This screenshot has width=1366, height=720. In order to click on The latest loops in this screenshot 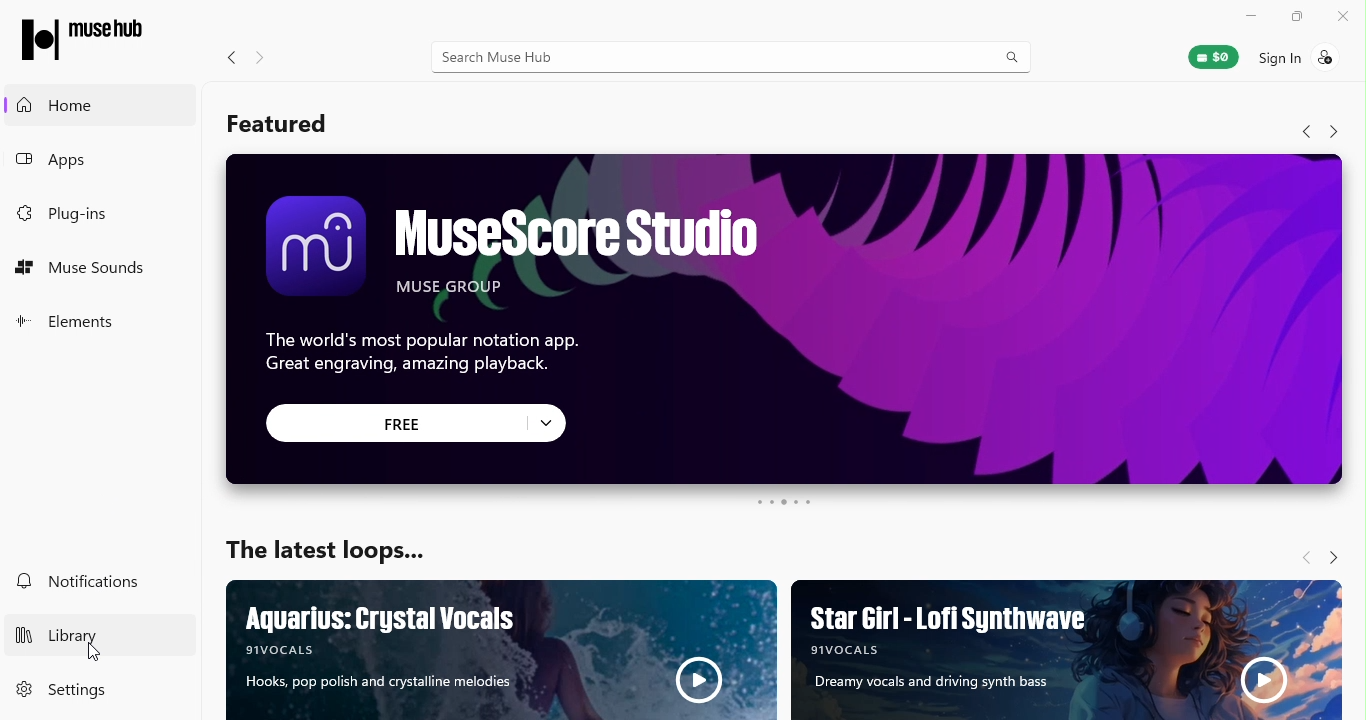, I will do `click(312, 553)`.